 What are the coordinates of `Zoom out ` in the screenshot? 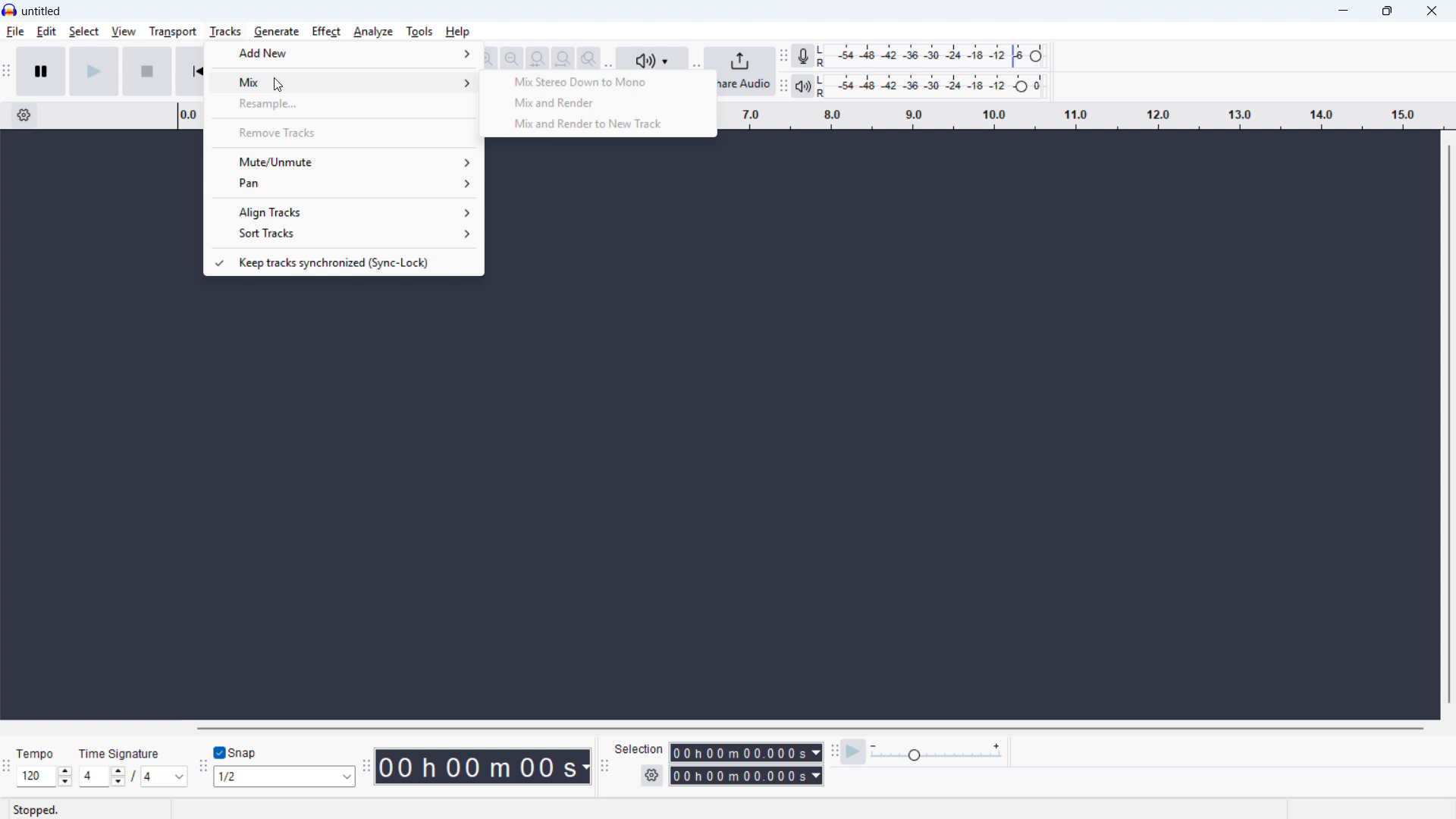 It's located at (512, 58).